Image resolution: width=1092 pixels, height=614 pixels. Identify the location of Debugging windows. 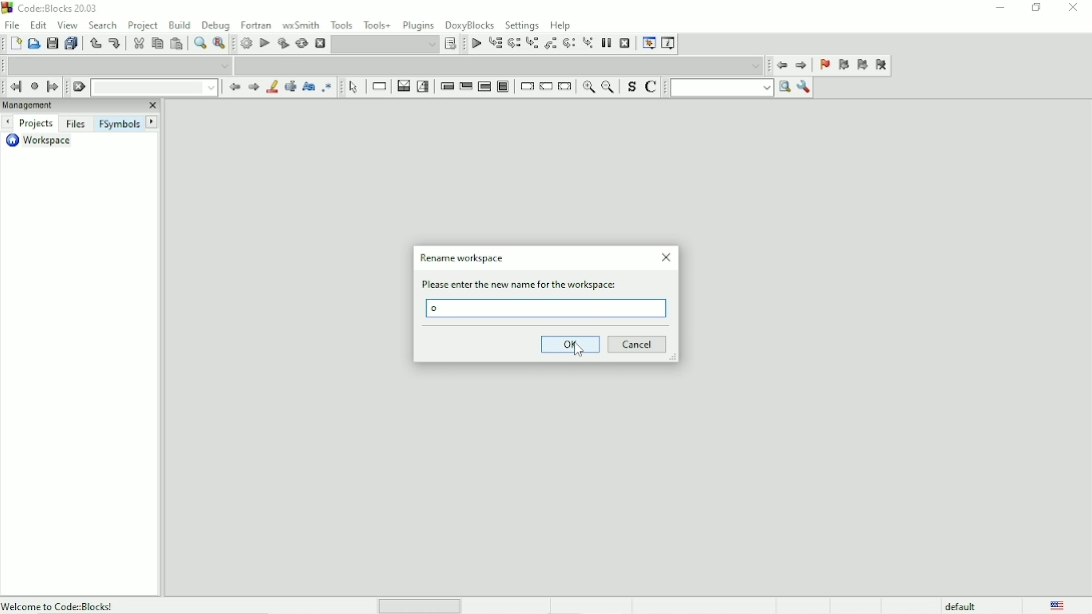
(647, 44).